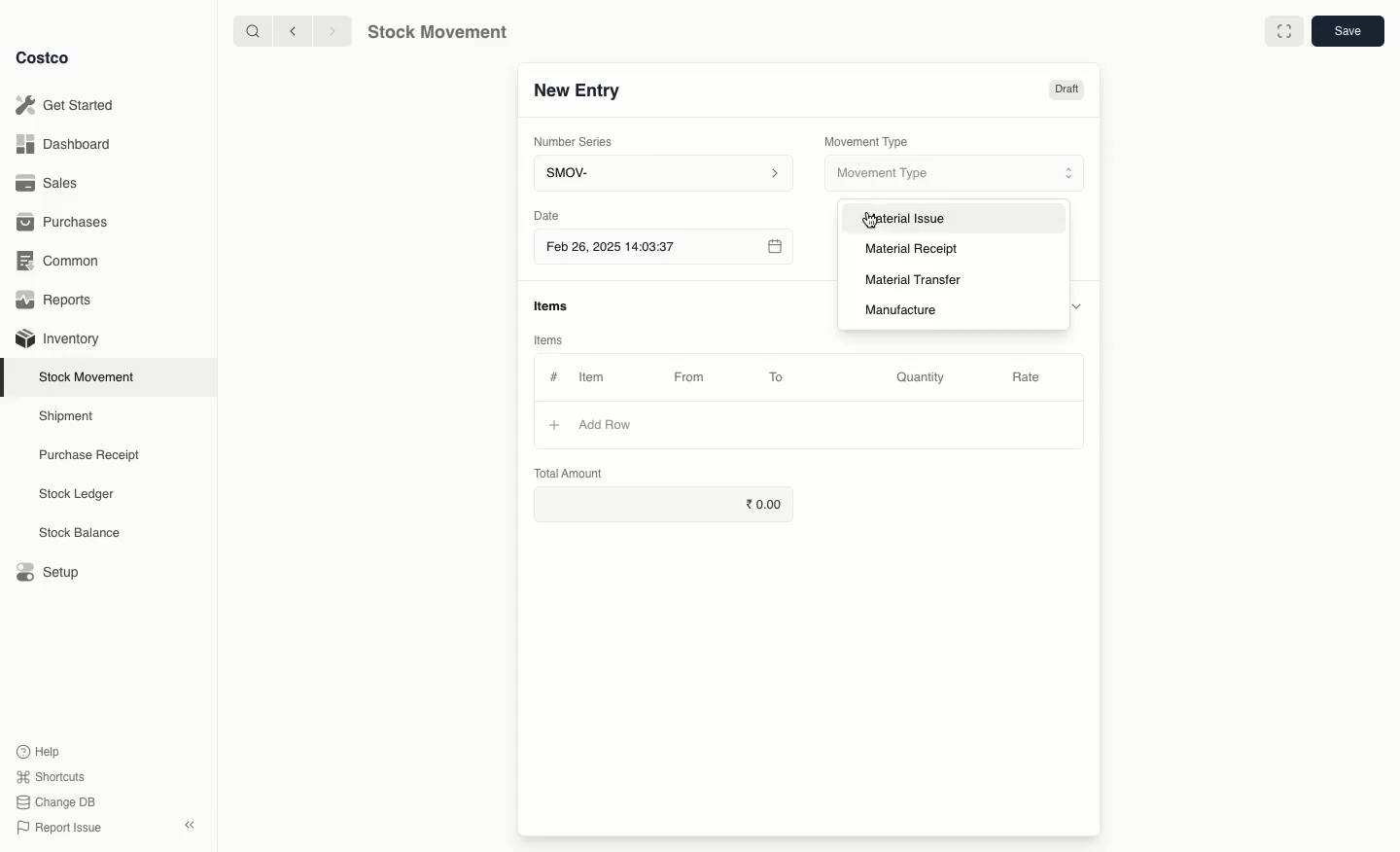 This screenshot has width=1400, height=852. Describe the element at coordinates (546, 339) in the screenshot. I see `Items` at that location.